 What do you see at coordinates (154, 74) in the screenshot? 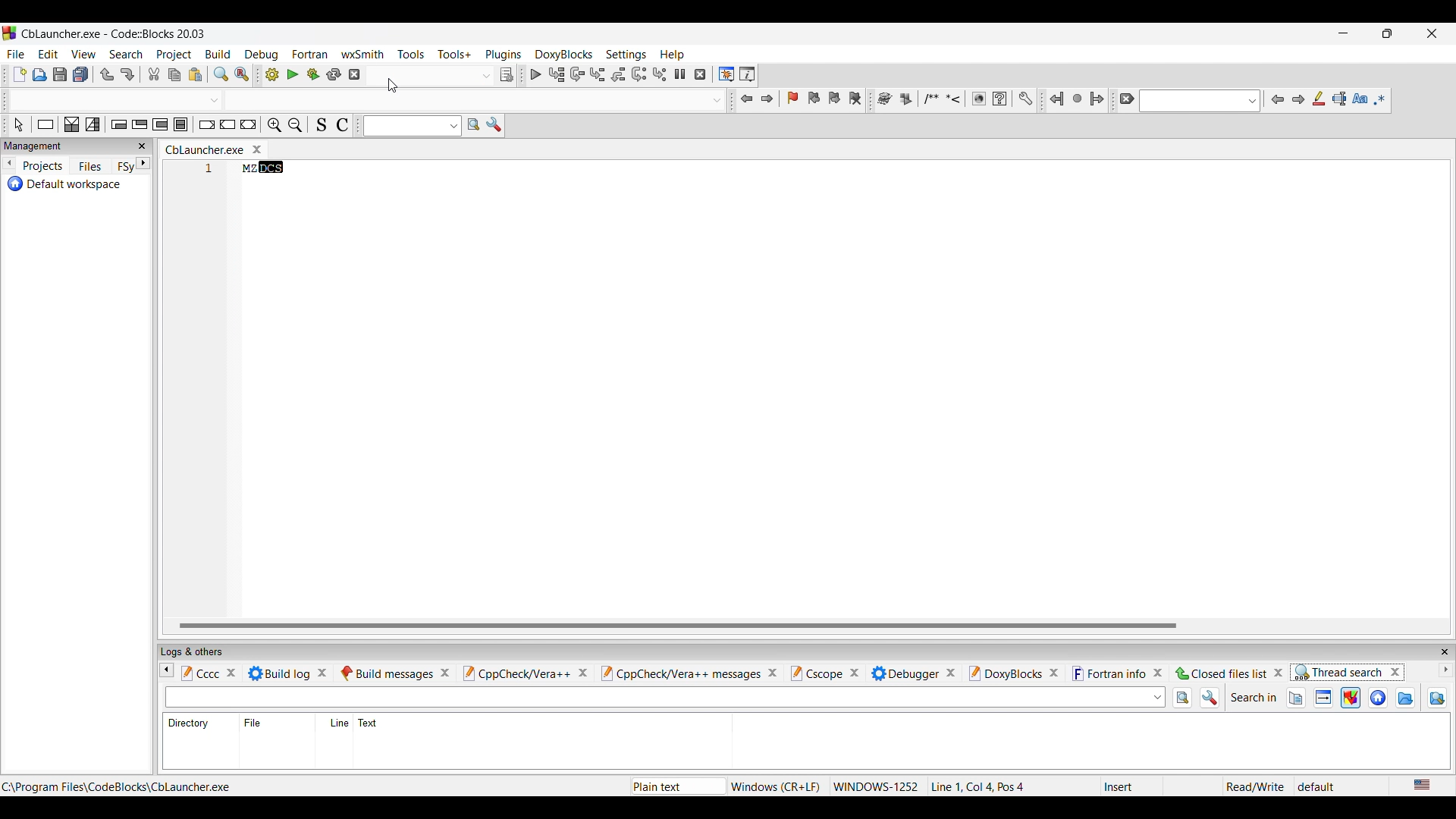
I see `Cut` at bounding box center [154, 74].